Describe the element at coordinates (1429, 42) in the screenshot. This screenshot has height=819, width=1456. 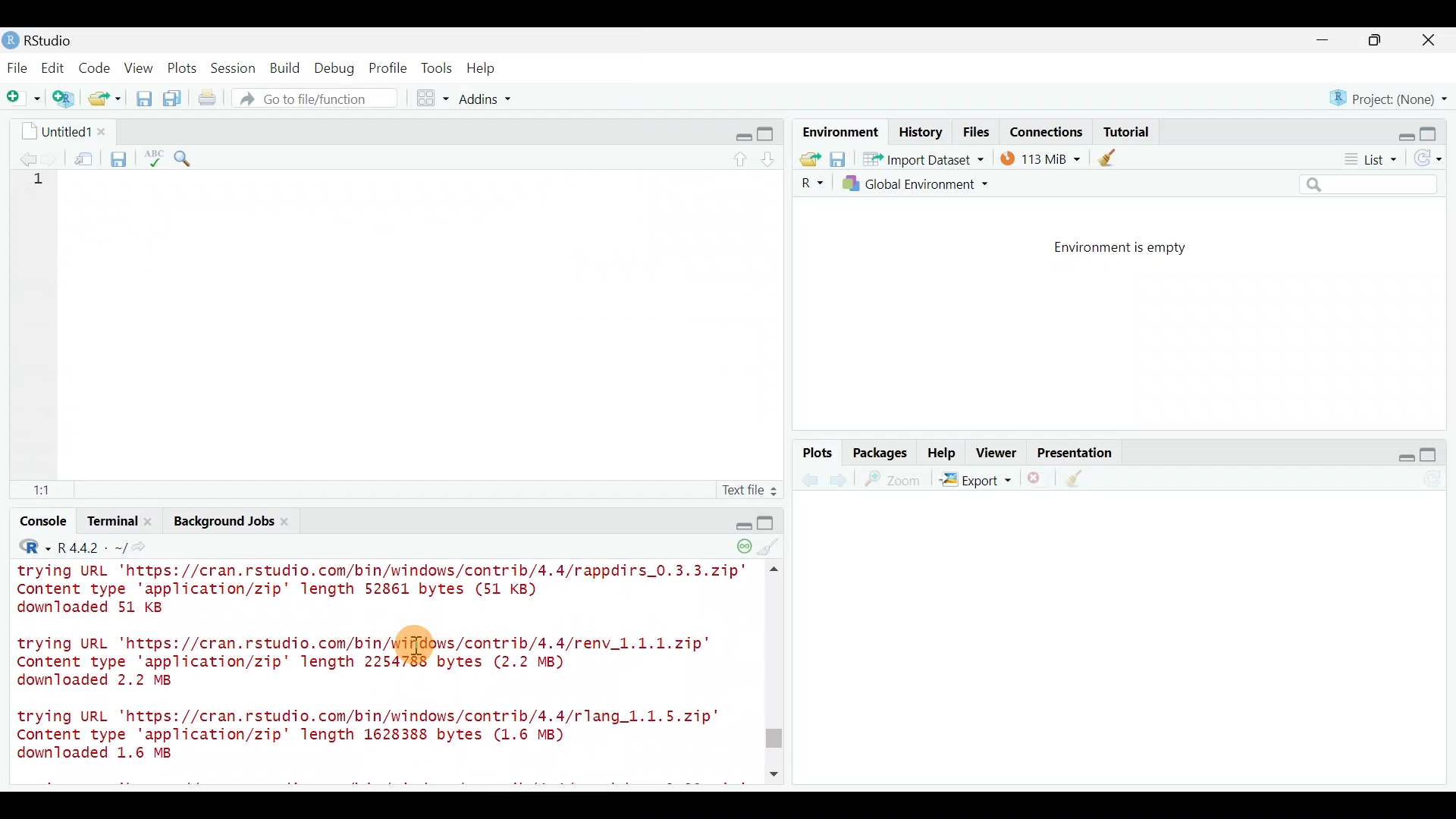
I see `close` at that location.